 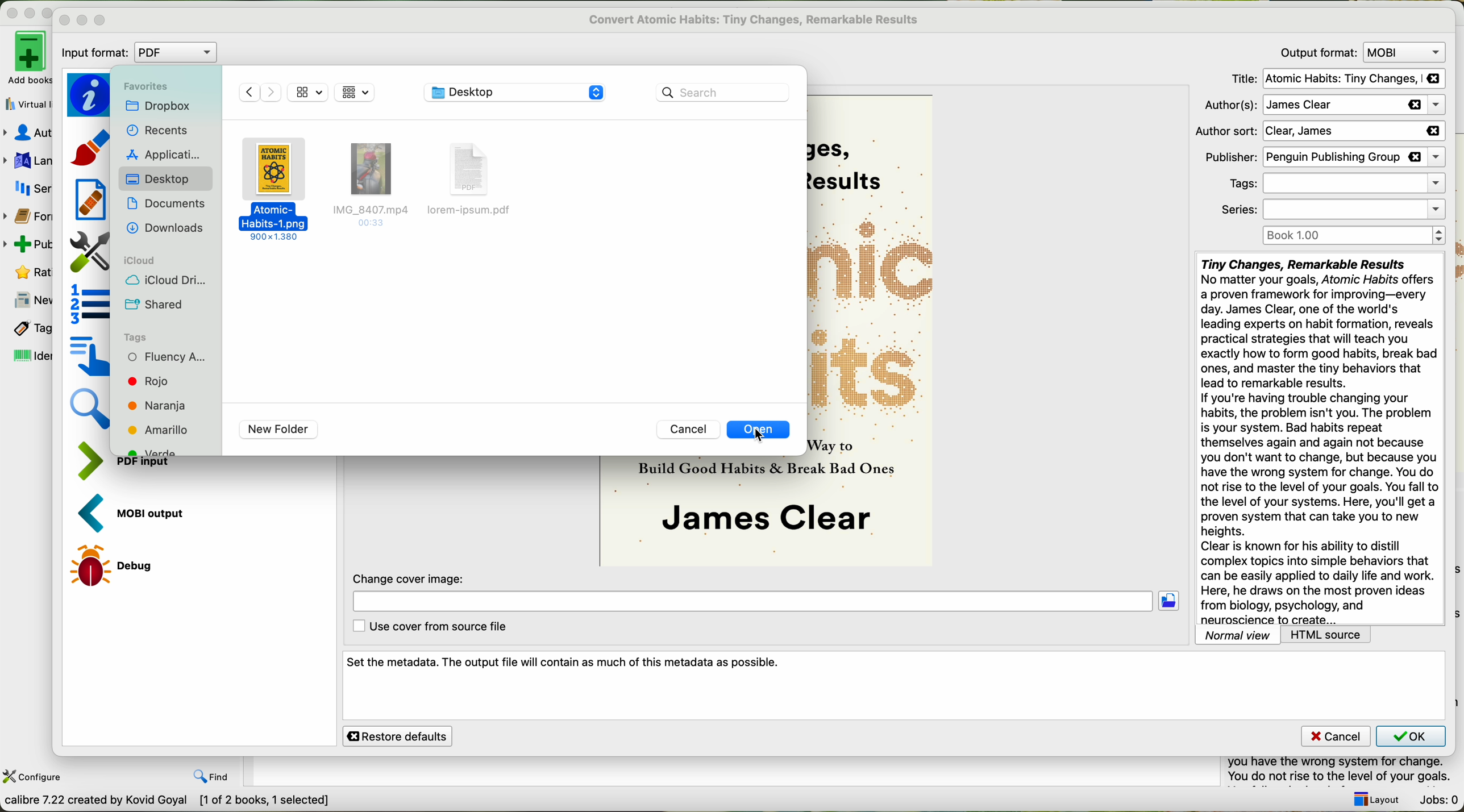 I want to click on close, so click(x=65, y=21).